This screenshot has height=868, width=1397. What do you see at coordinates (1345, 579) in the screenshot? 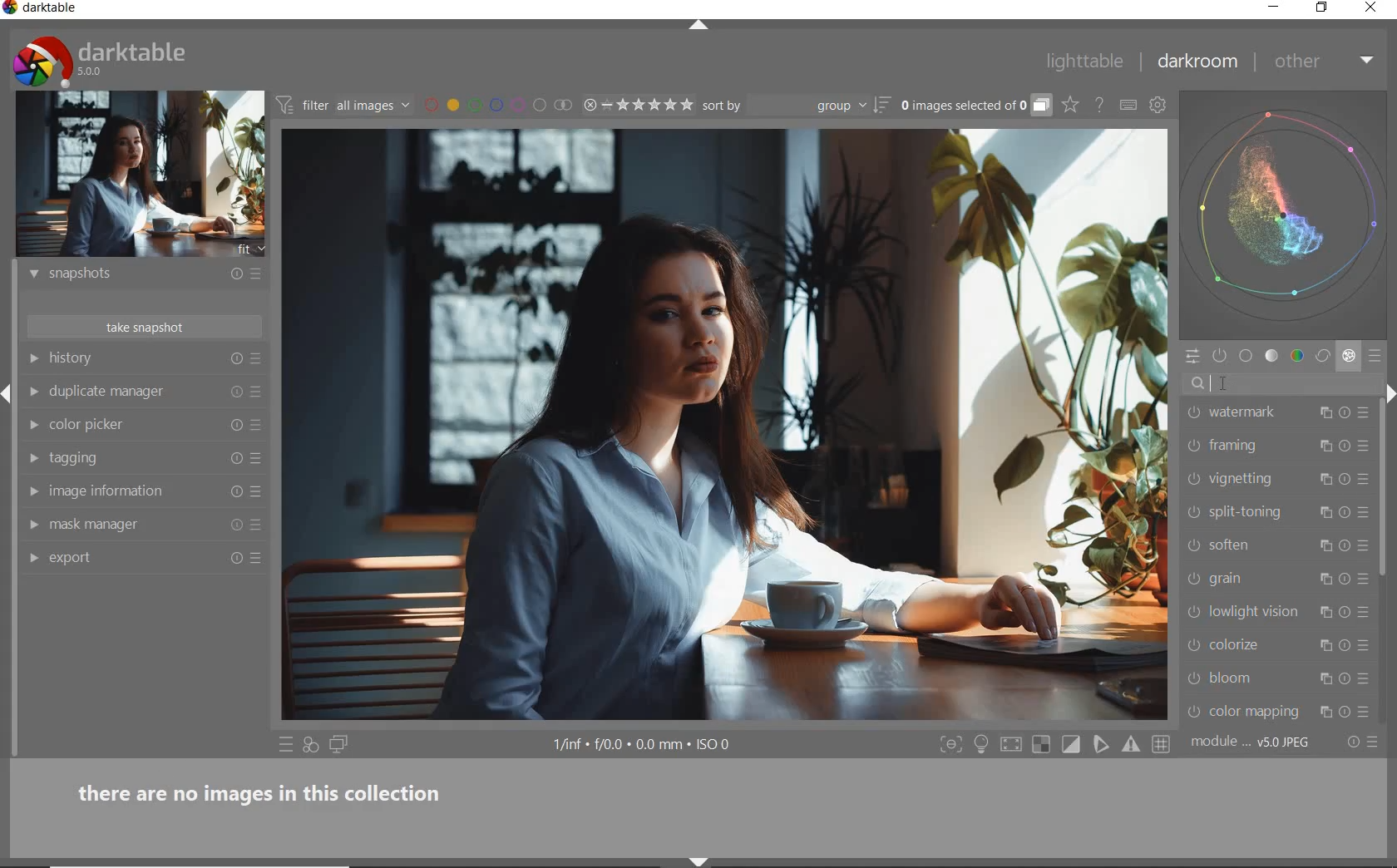
I see `reset` at bounding box center [1345, 579].